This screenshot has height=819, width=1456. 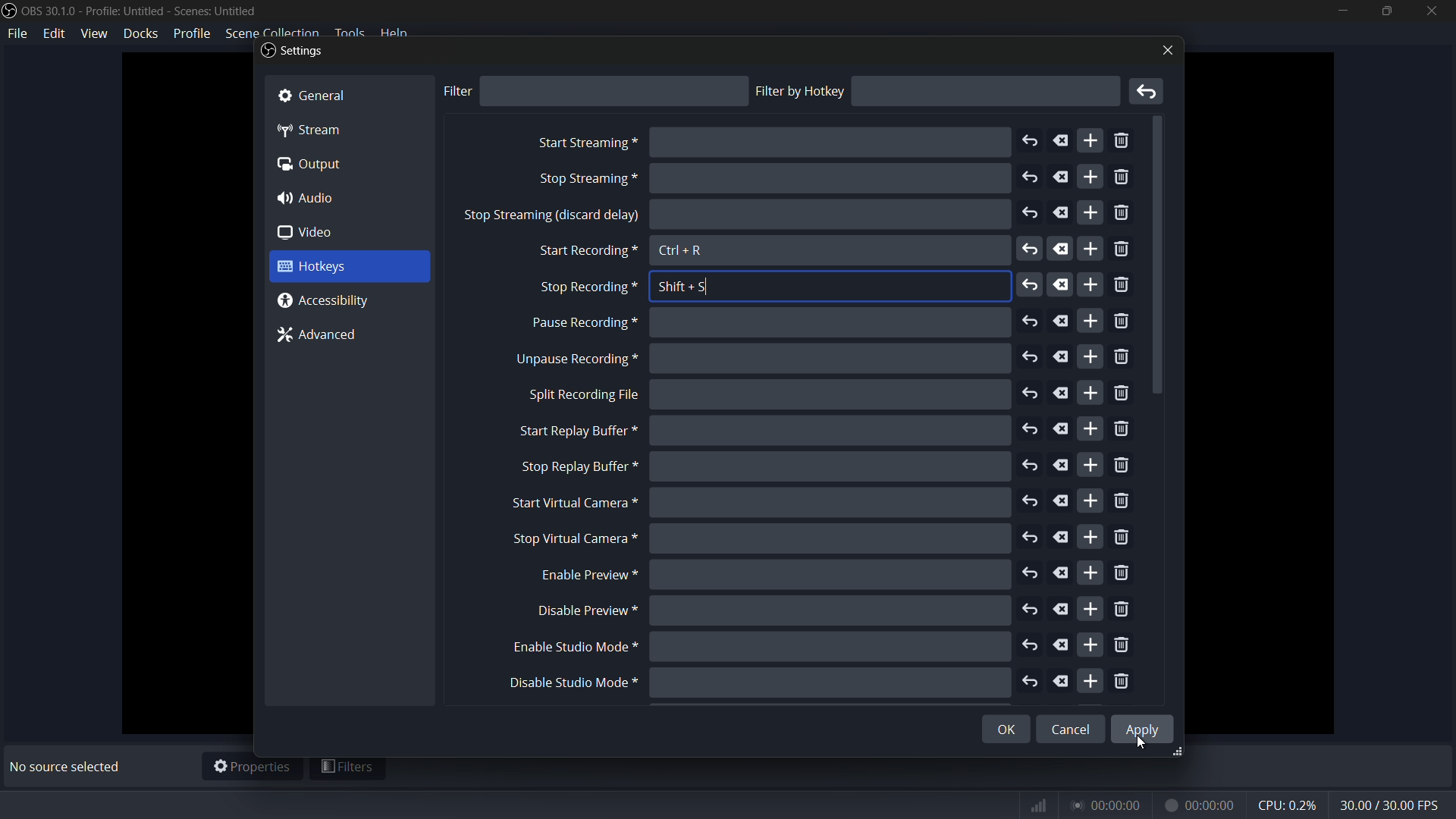 I want to click on undo, so click(x=1031, y=285).